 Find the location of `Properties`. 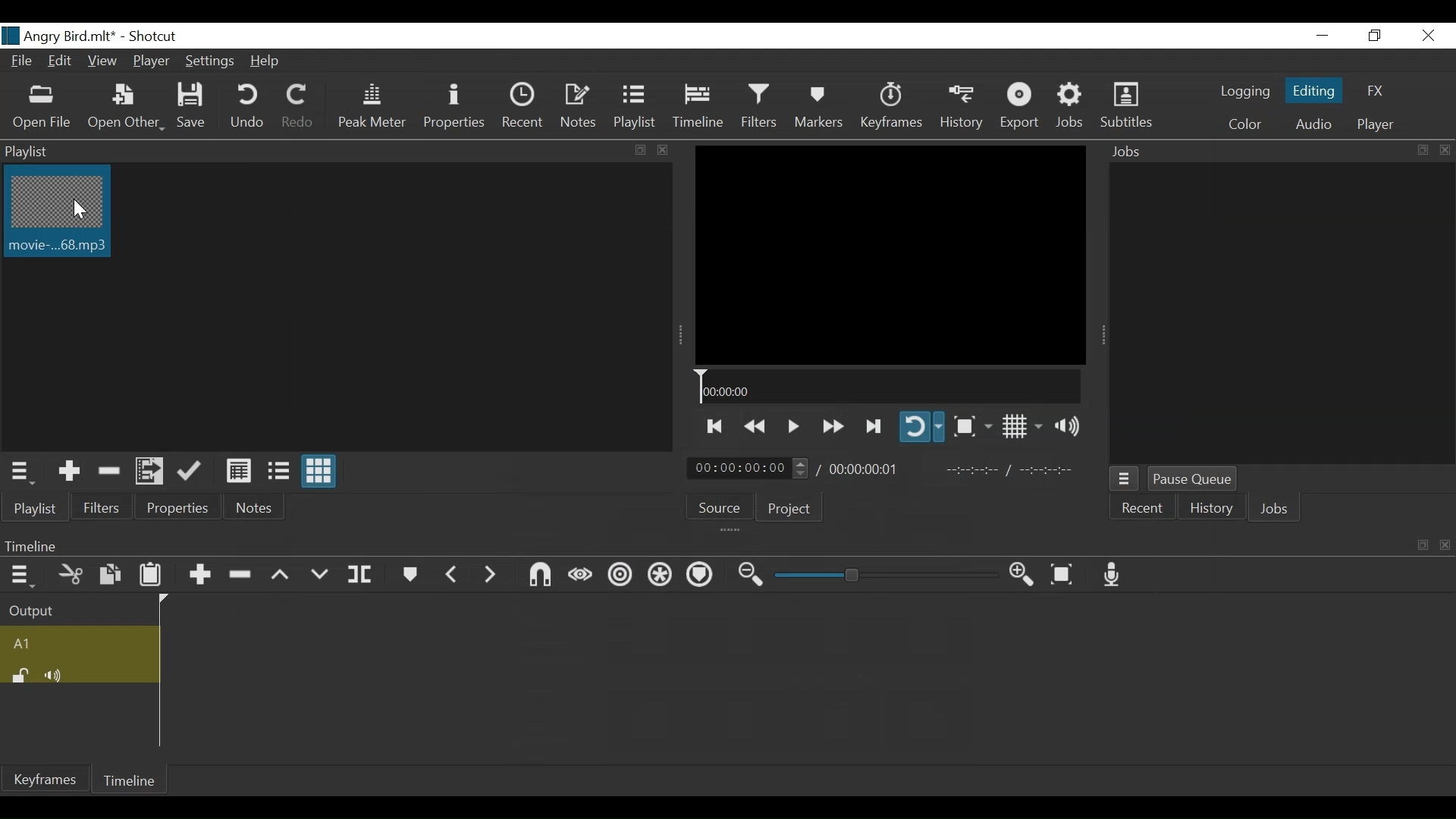

Properties is located at coordinates (175, 507).